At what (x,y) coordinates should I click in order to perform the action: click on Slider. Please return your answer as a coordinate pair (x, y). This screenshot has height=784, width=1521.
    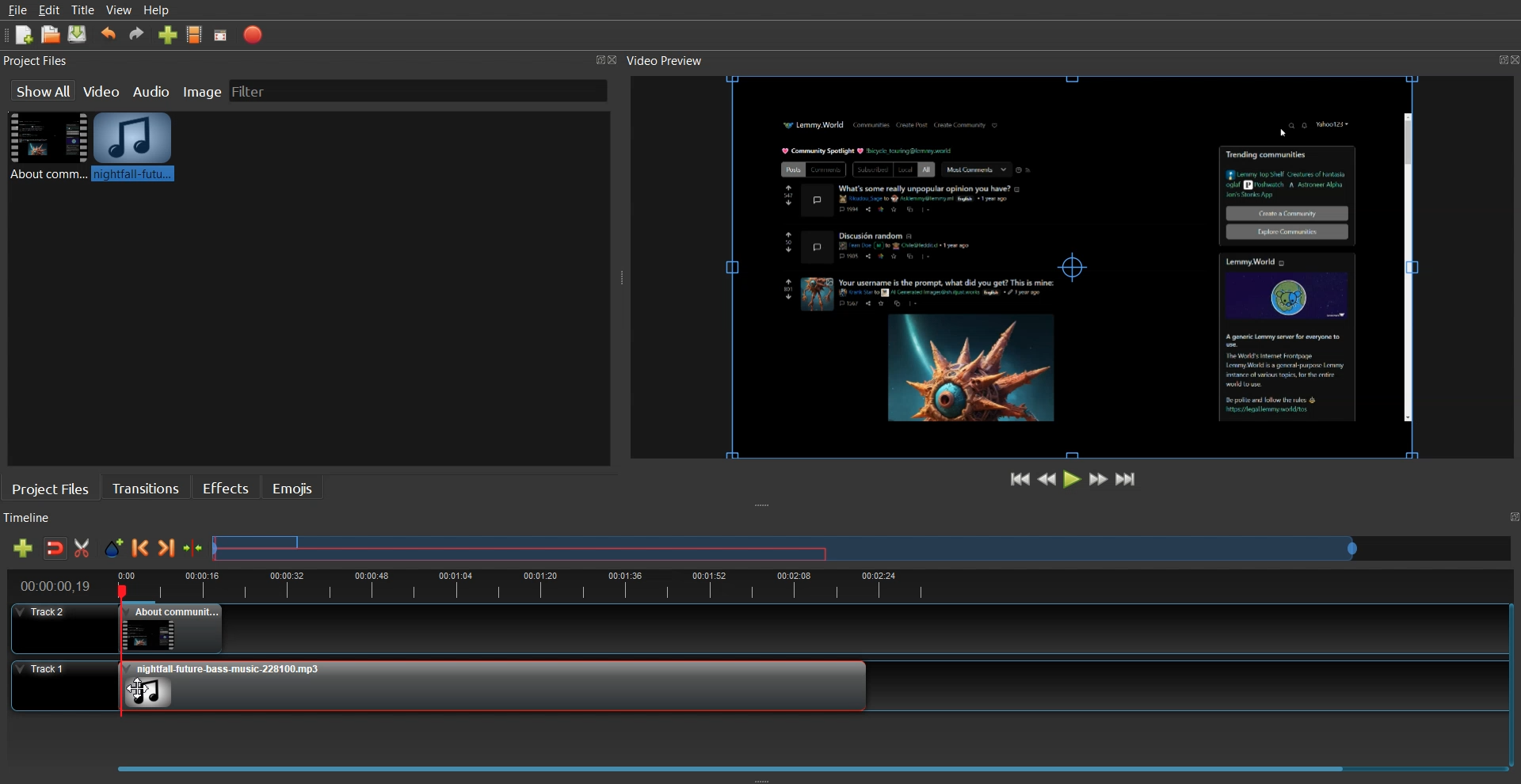
    Looking at the image, I should click on (757, 763).